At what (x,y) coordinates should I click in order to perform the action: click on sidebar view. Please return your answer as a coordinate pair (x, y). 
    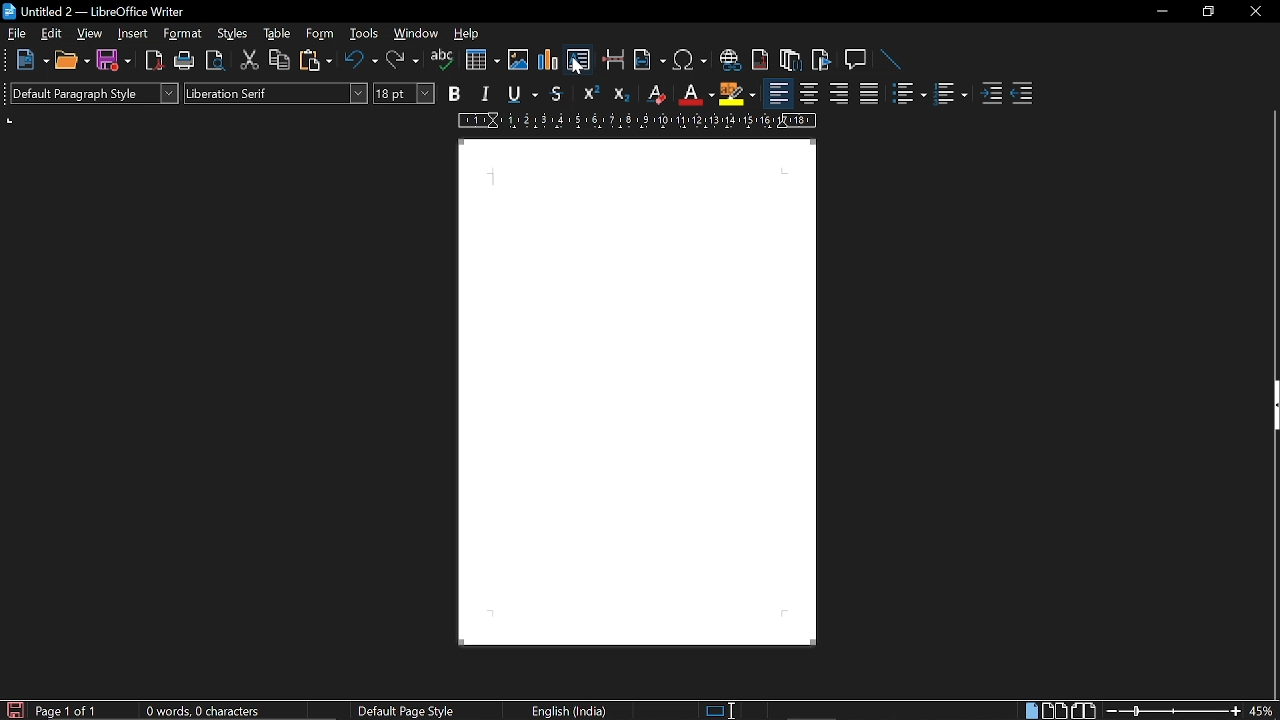
    Looking at the image, I should click on (1268, 408).